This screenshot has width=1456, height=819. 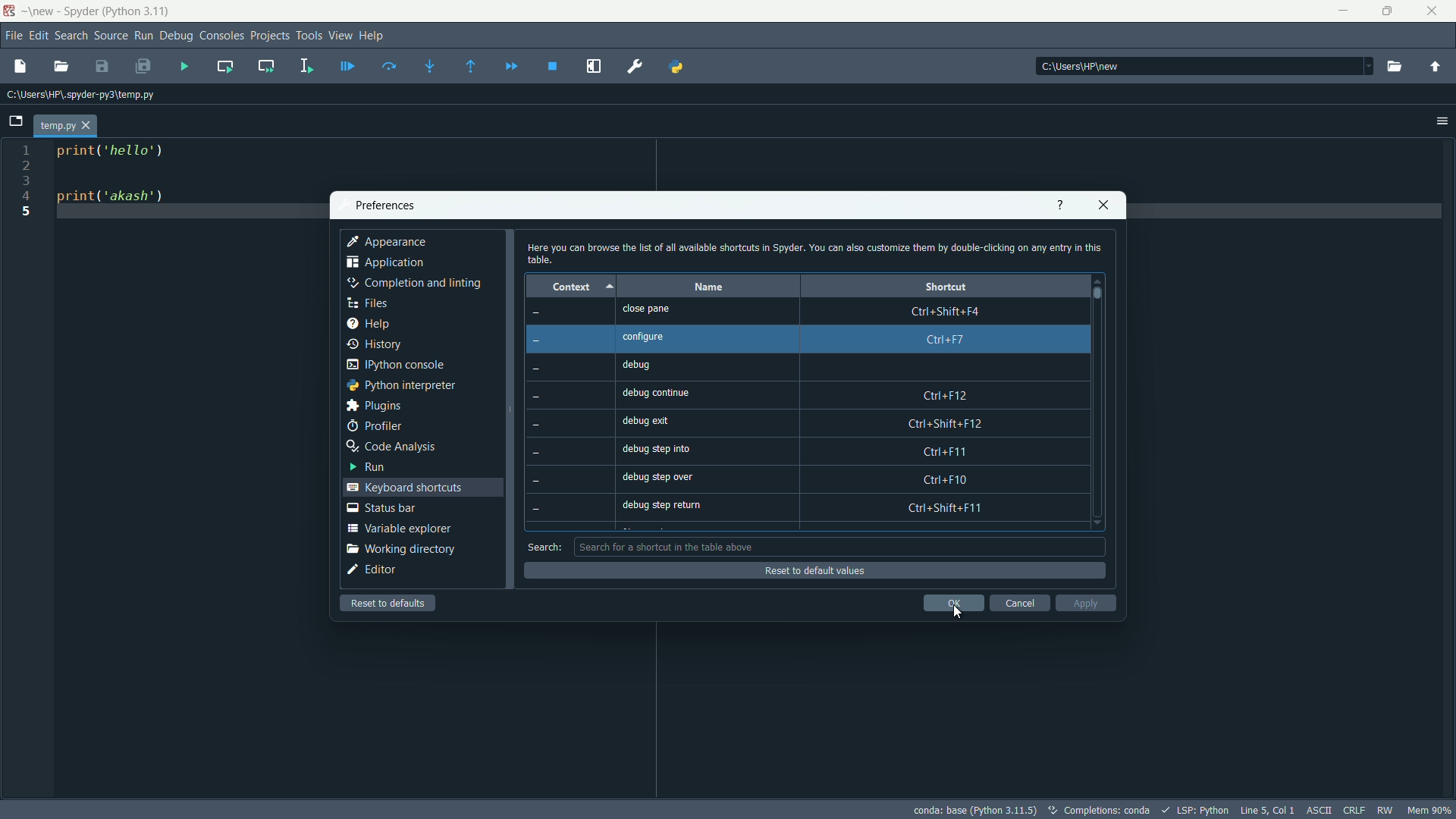 What do you see at coordinates (811, 253) in the screenshot?
I see `| Here you can browse the list of al available shortcuts in Spyder. You can also customize them by double-clicking on any entry in this
table.` at bounding box center [811, 253].